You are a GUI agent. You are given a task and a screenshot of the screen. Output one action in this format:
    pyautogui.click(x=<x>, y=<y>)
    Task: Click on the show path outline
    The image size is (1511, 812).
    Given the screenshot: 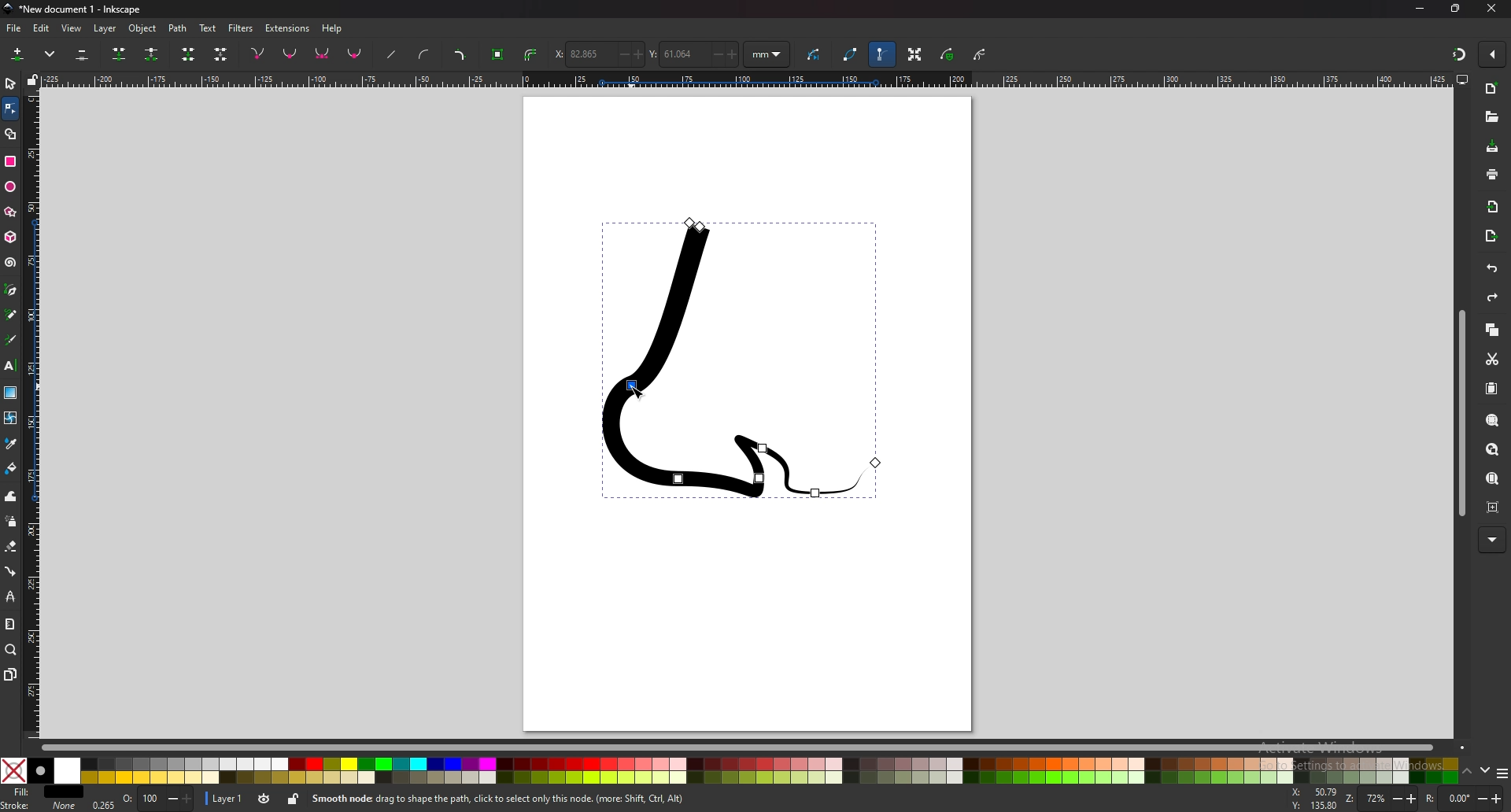 What is the action you would take?
    pyautogui.click(x=851, y=54)
    